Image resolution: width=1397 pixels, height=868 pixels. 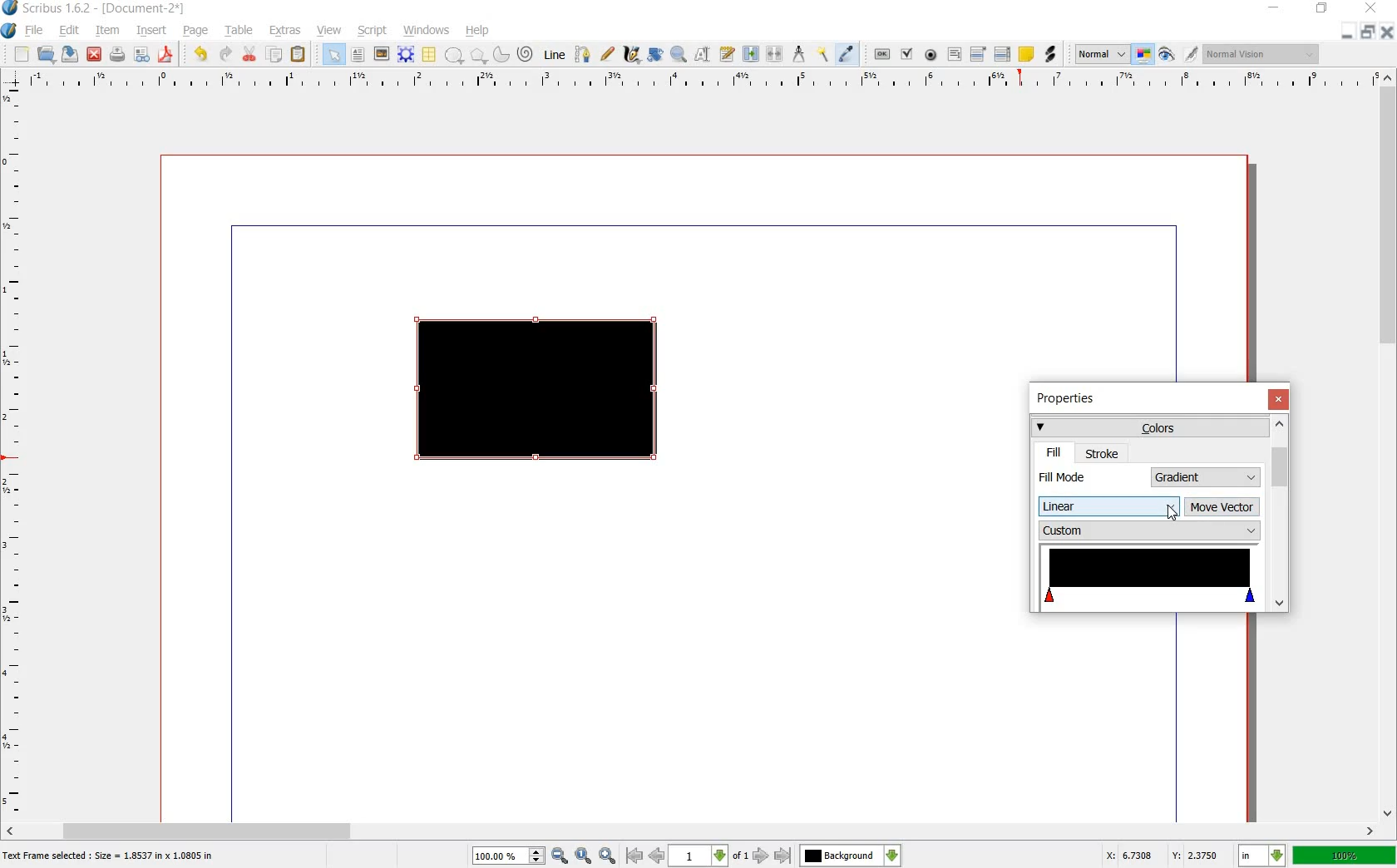 I want to click on scroll bar, so click(x=1389, y=446).